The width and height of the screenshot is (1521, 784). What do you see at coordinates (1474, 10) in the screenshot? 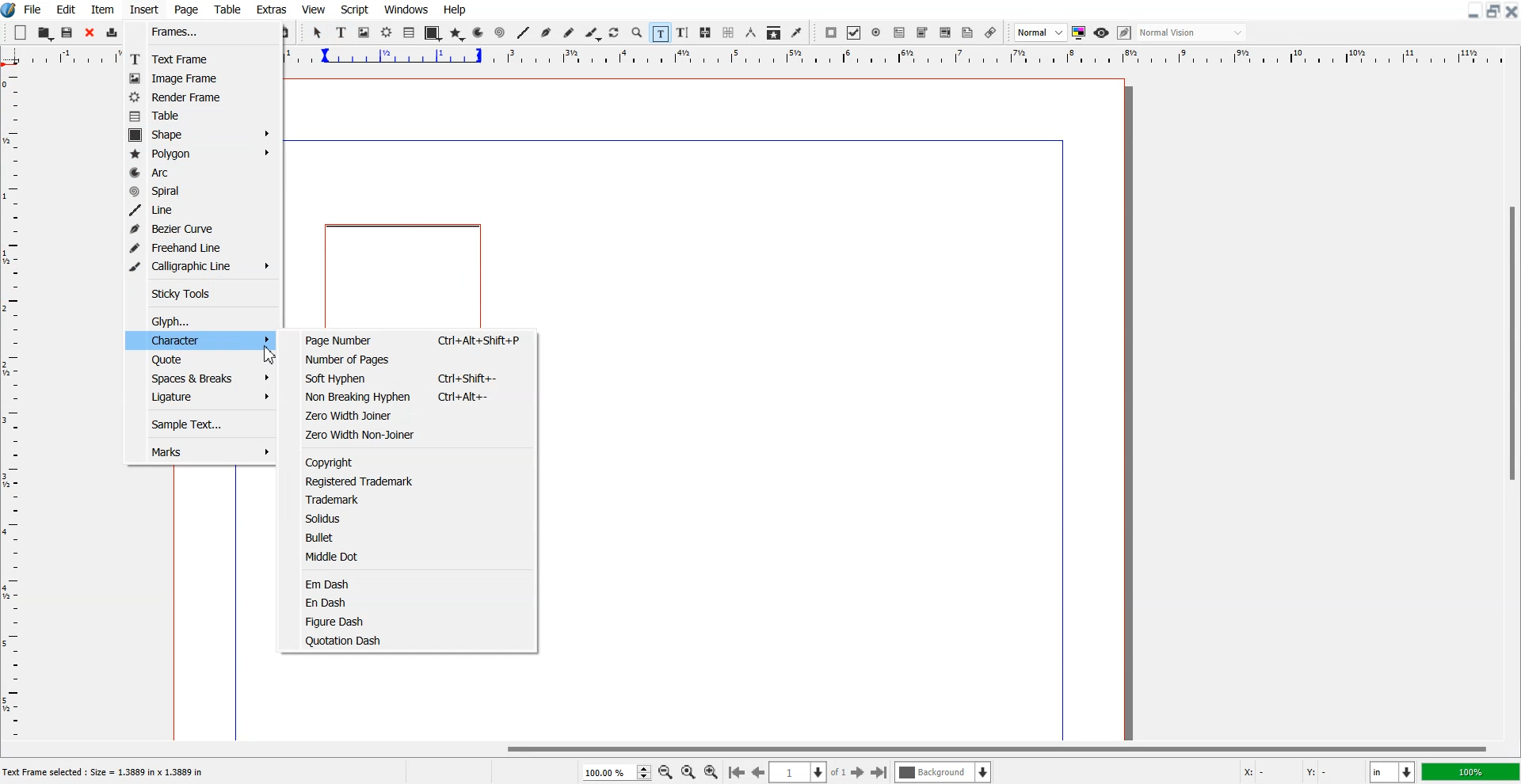
I see `Minimize` at bounding box center [1474, 10].